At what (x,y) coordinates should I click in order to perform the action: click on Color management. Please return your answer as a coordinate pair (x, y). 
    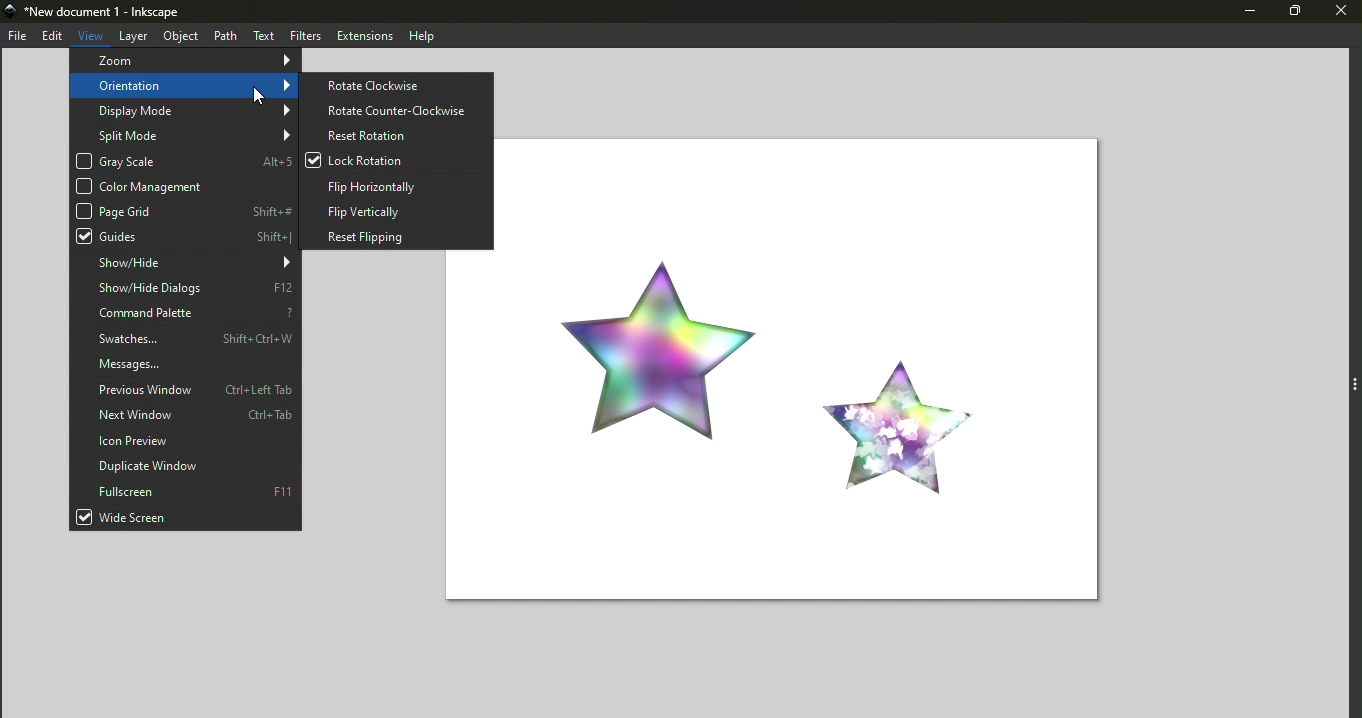
    Looking at the image, I should click on (180, 186).